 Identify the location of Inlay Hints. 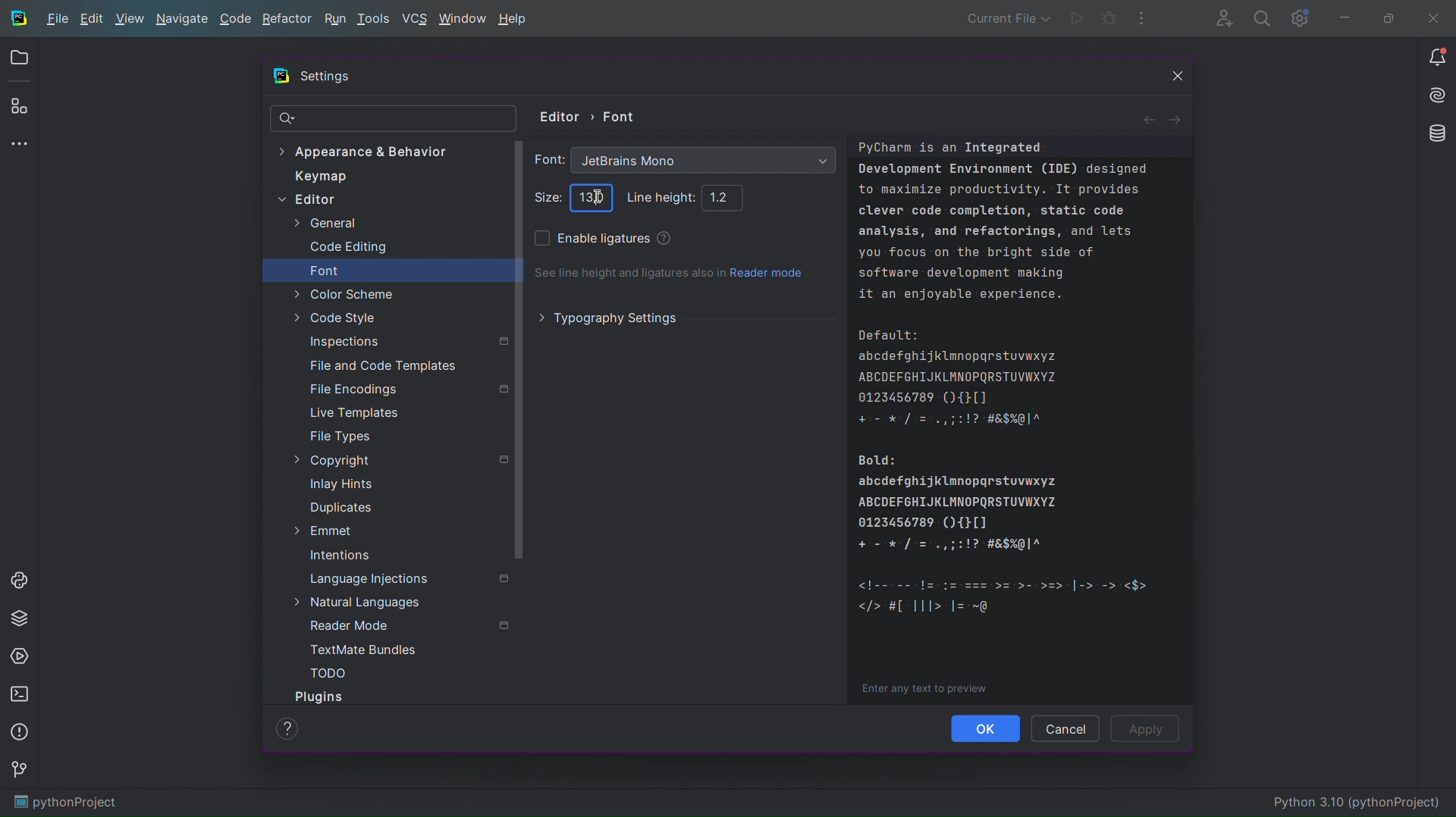
(340, 484).